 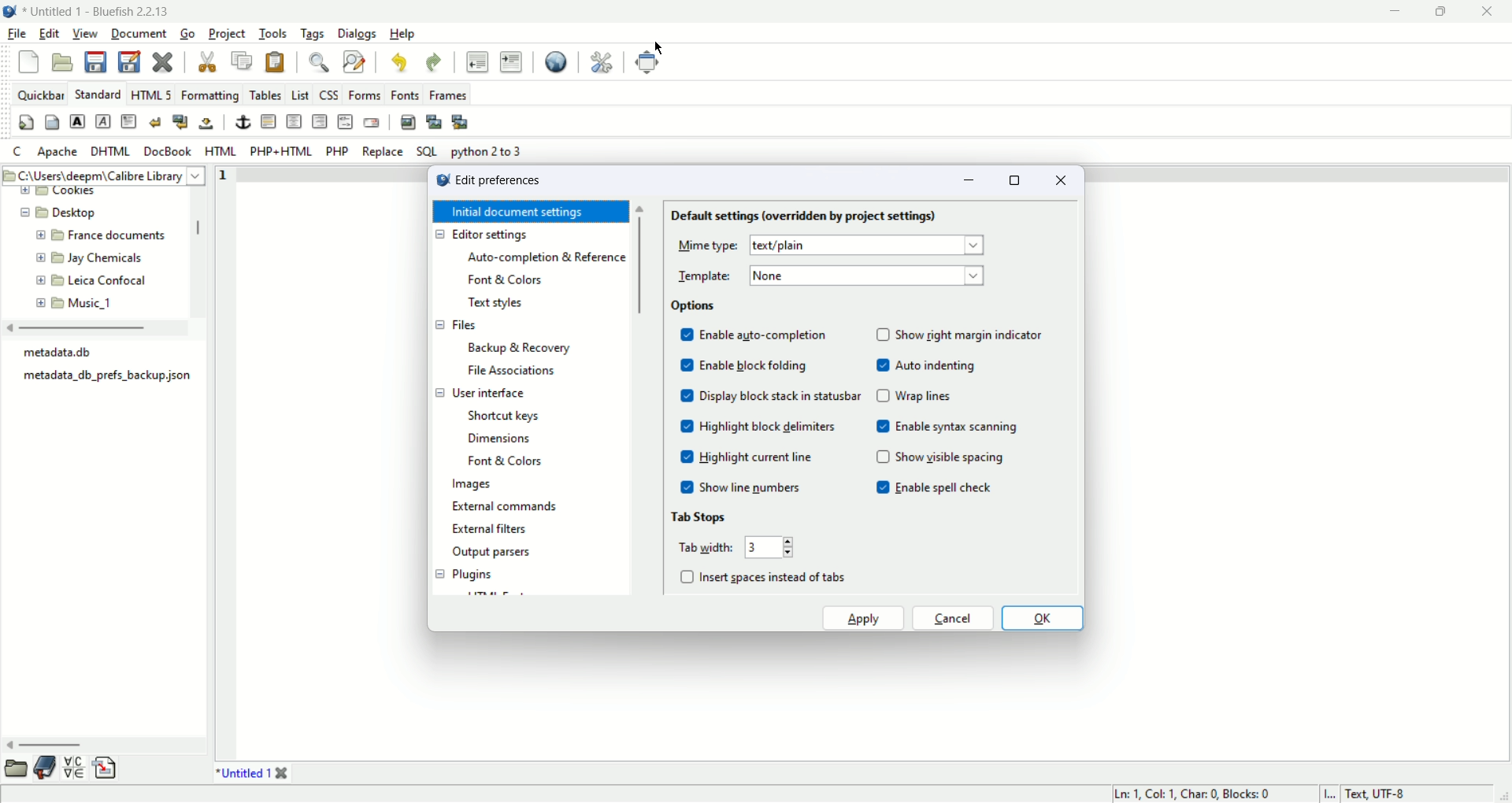 I want to click on break, so click(x=155, y=121).